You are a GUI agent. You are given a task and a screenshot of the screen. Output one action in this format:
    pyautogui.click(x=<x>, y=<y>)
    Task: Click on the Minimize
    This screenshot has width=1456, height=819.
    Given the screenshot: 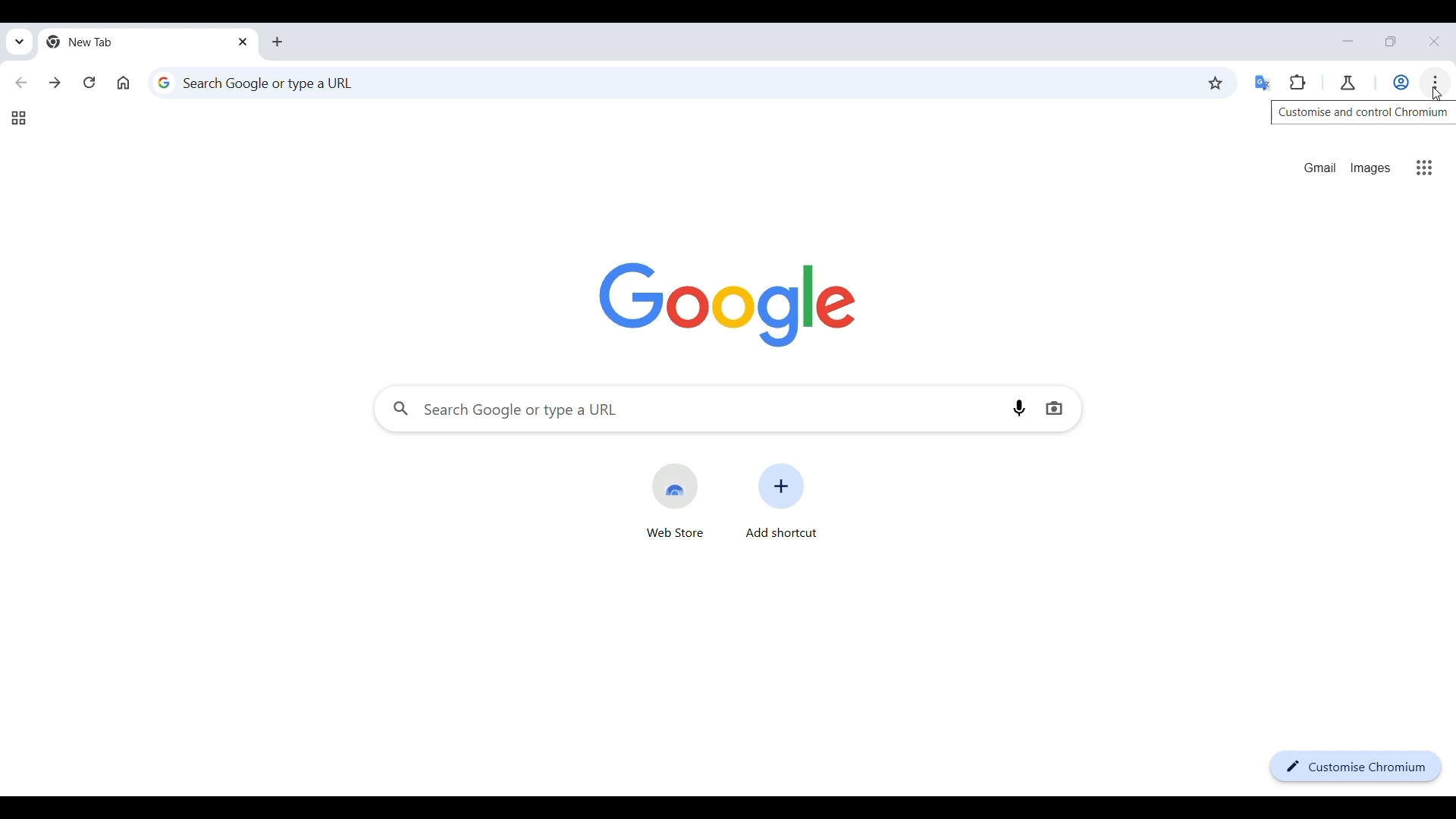 What is the action you would take?
    pyautogui.click(x=1348, y=41)
    